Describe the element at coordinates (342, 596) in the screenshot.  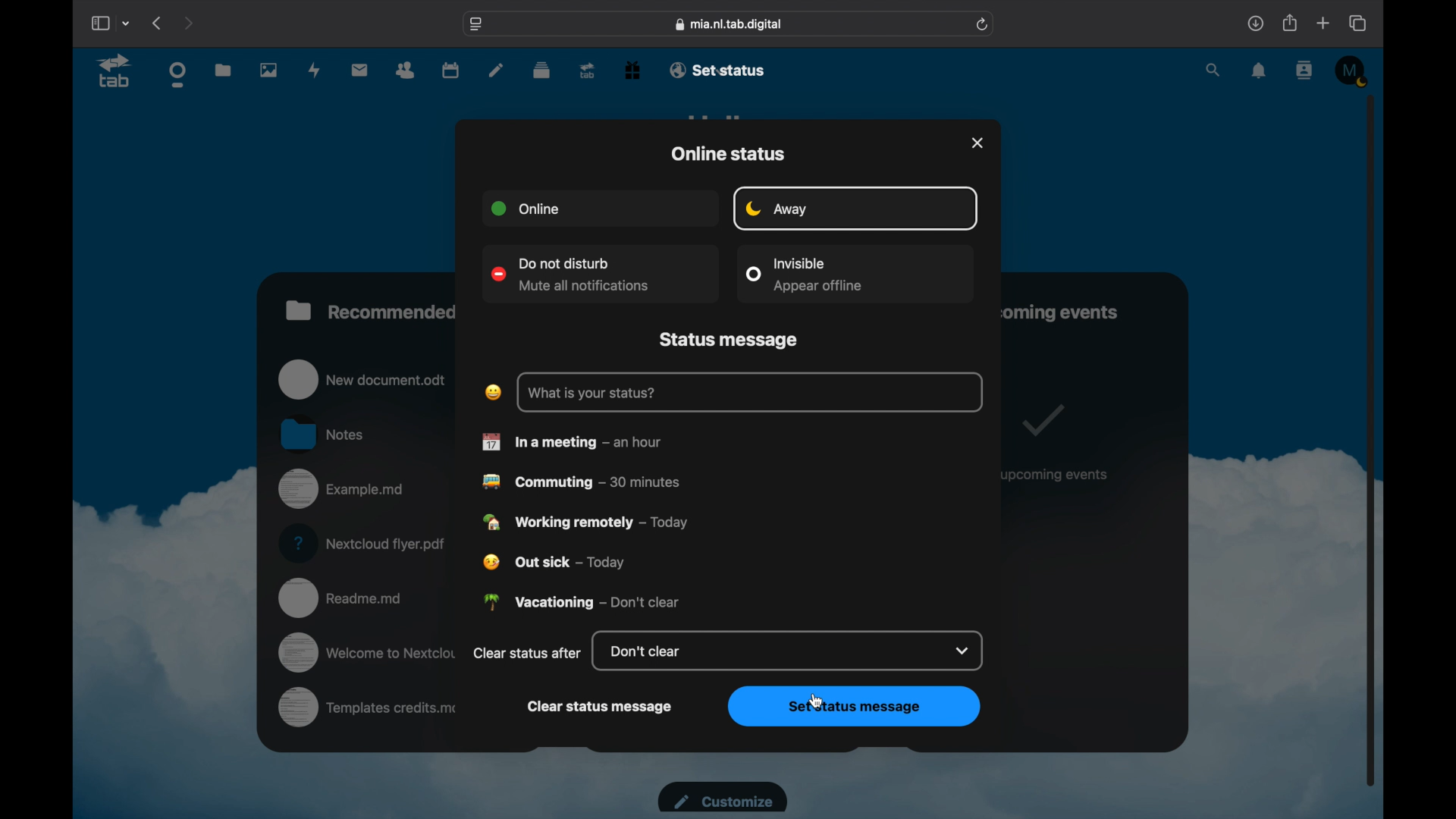
I see `readme.md` at that location.